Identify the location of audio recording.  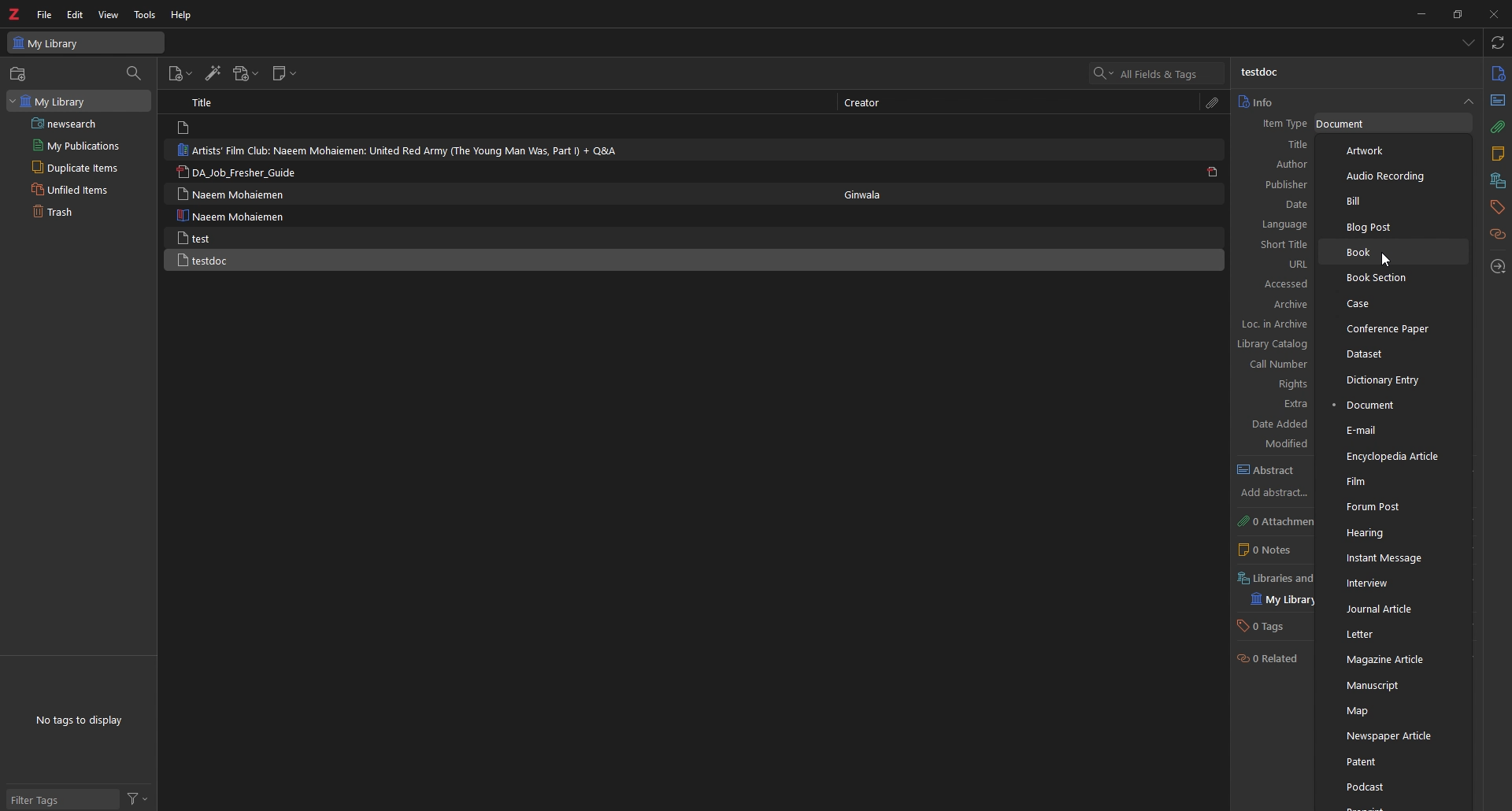
(1392, 176).